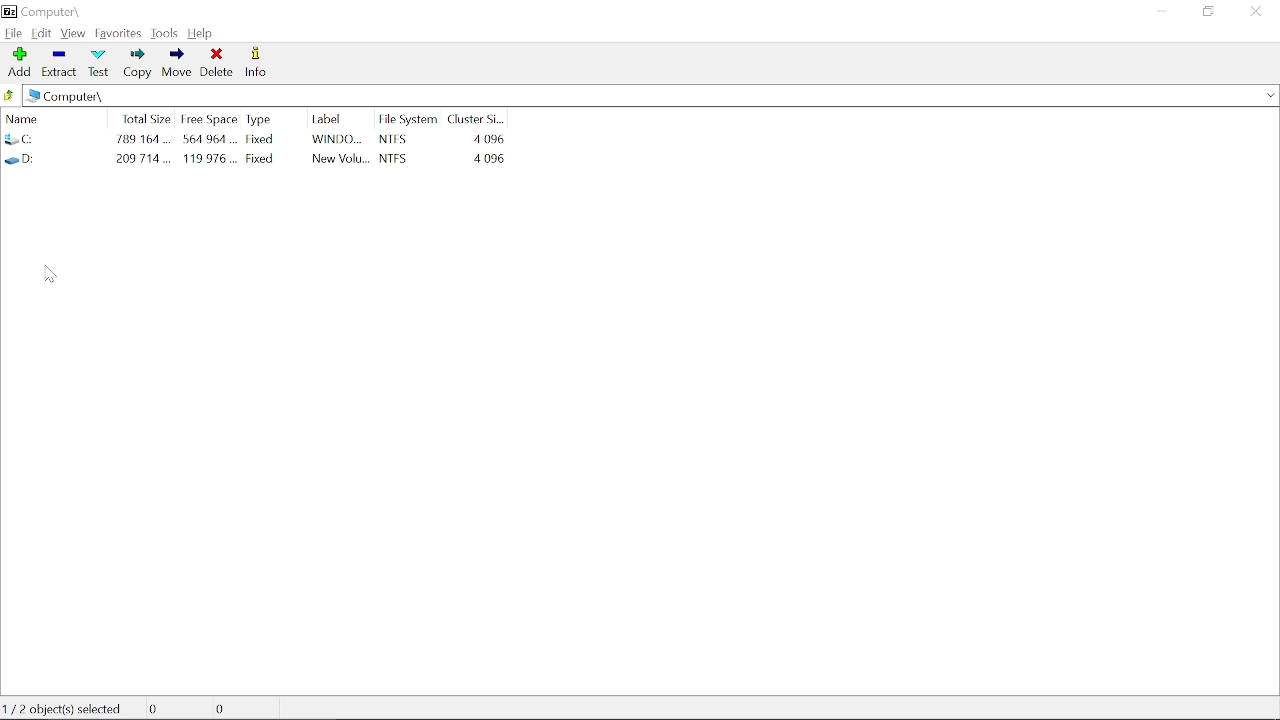  Describe the element at coordinates (1254, 12) in the screenshot. I see `close` at that location.